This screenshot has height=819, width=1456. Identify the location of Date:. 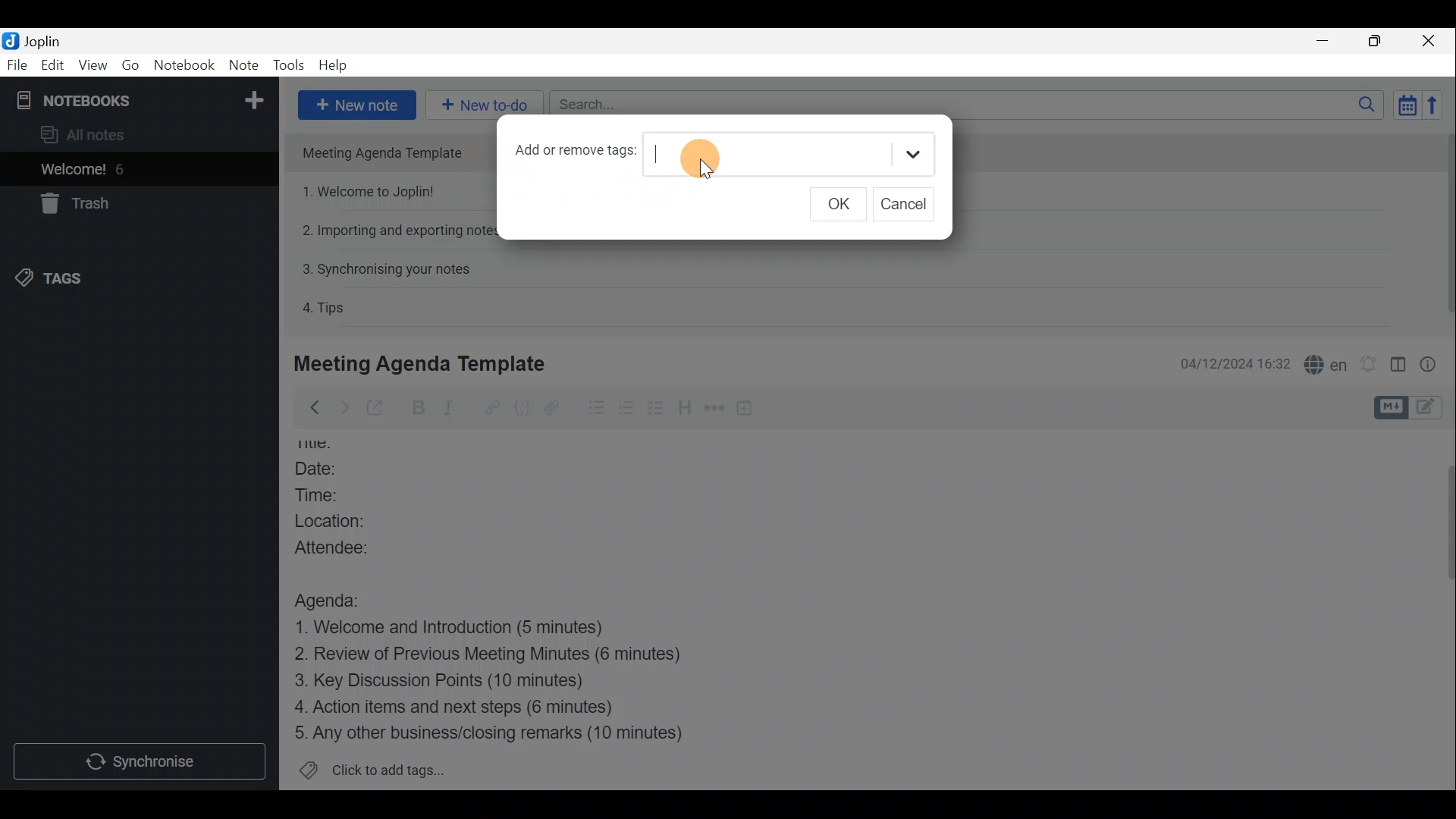
(334, 470).